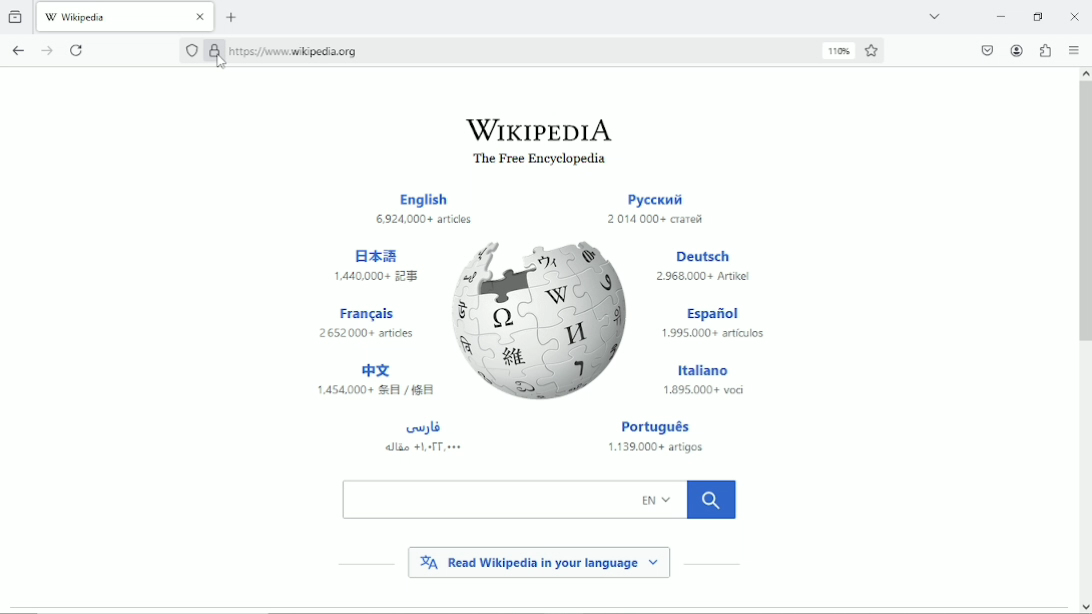 The width and height of the screenshot is (1092, 614). Describe the element at coordinates (368, 322) in the screenshot. I see `Francais
2652000+ artices` at that location.